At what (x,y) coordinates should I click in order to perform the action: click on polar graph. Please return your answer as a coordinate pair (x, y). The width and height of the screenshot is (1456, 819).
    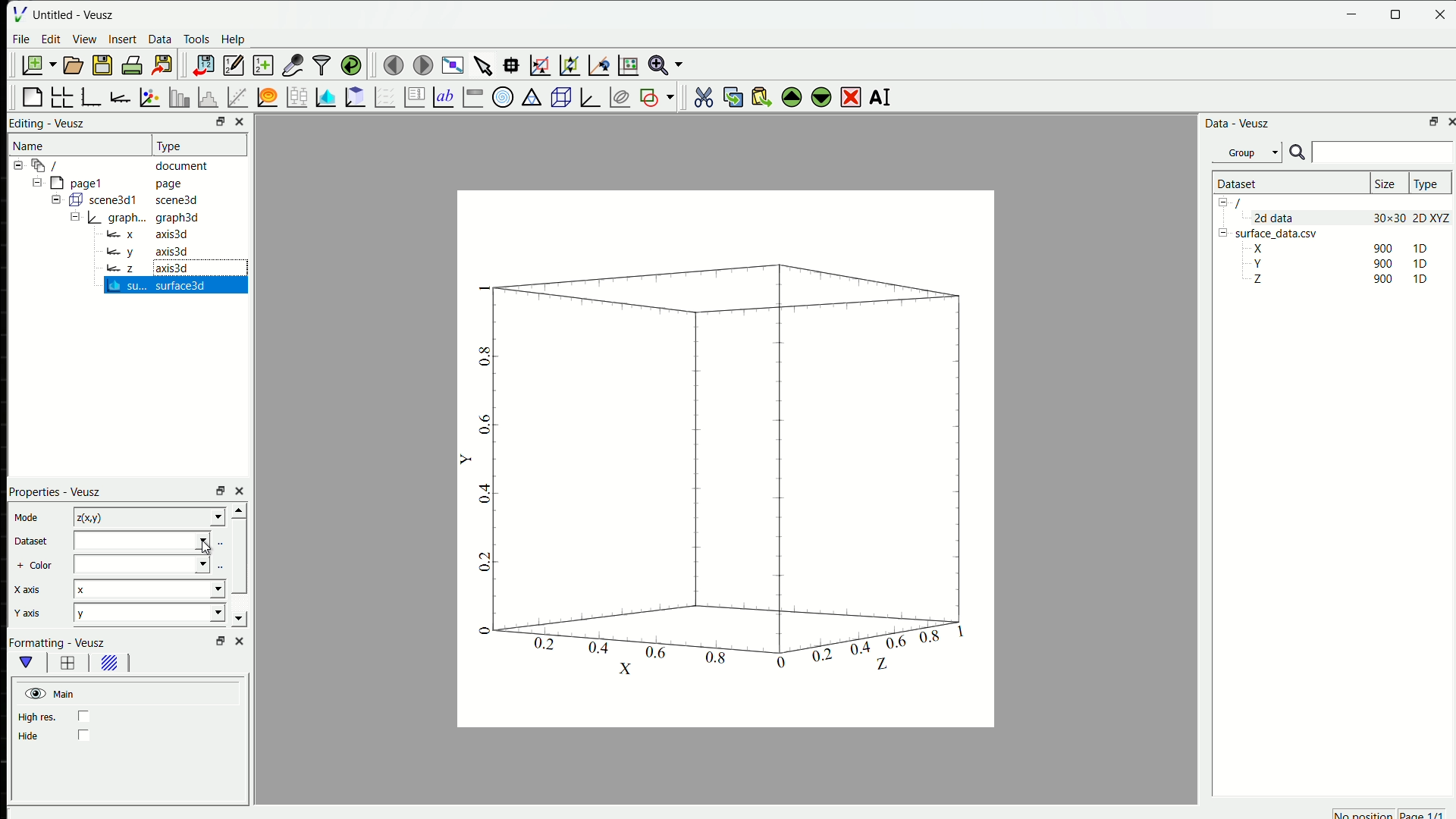
    Looking at the image, I should click on (504, 96).